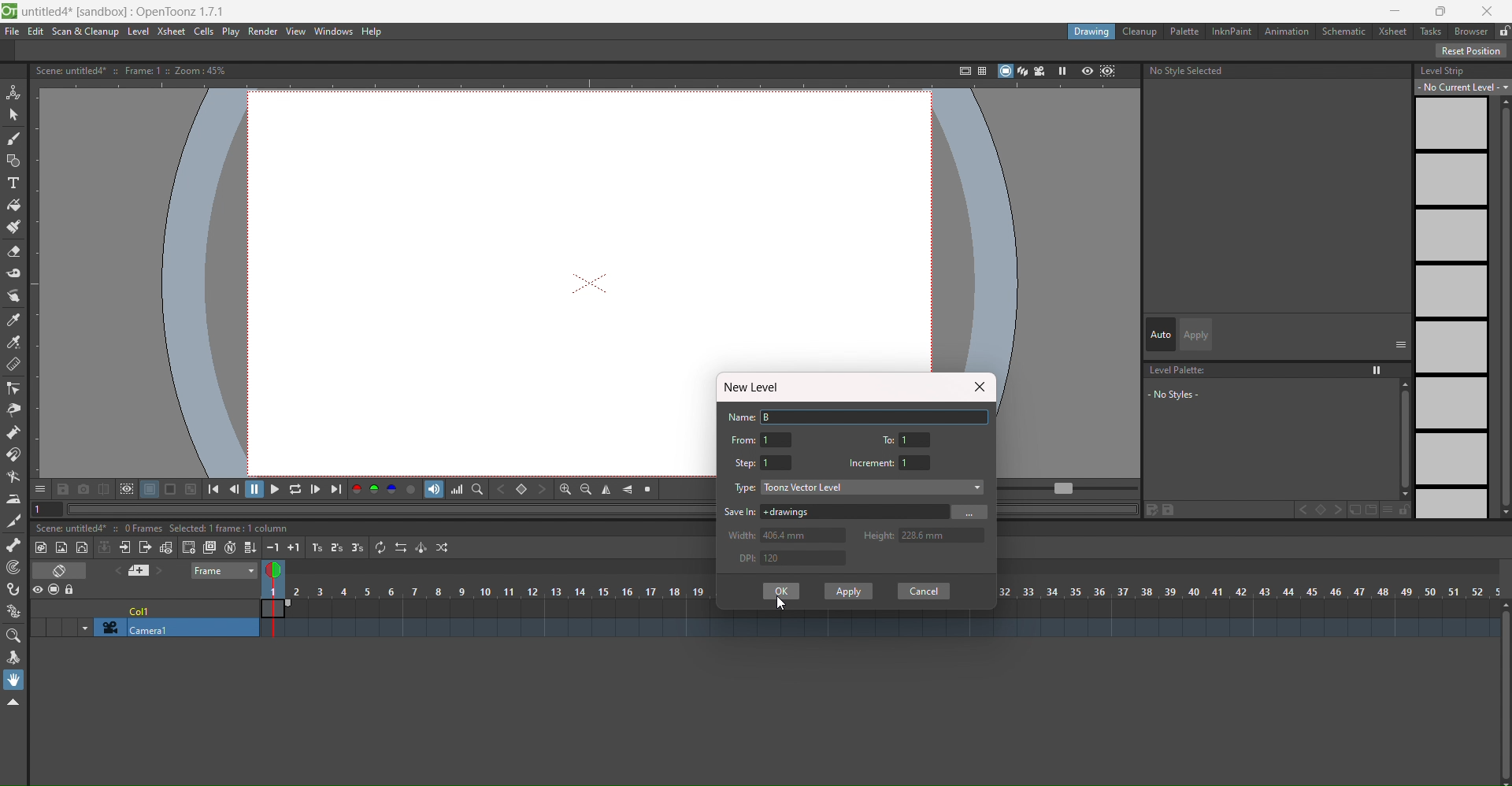  Describe the element at coordinates (917, 439) in the screenshot. I see `1` at that location.